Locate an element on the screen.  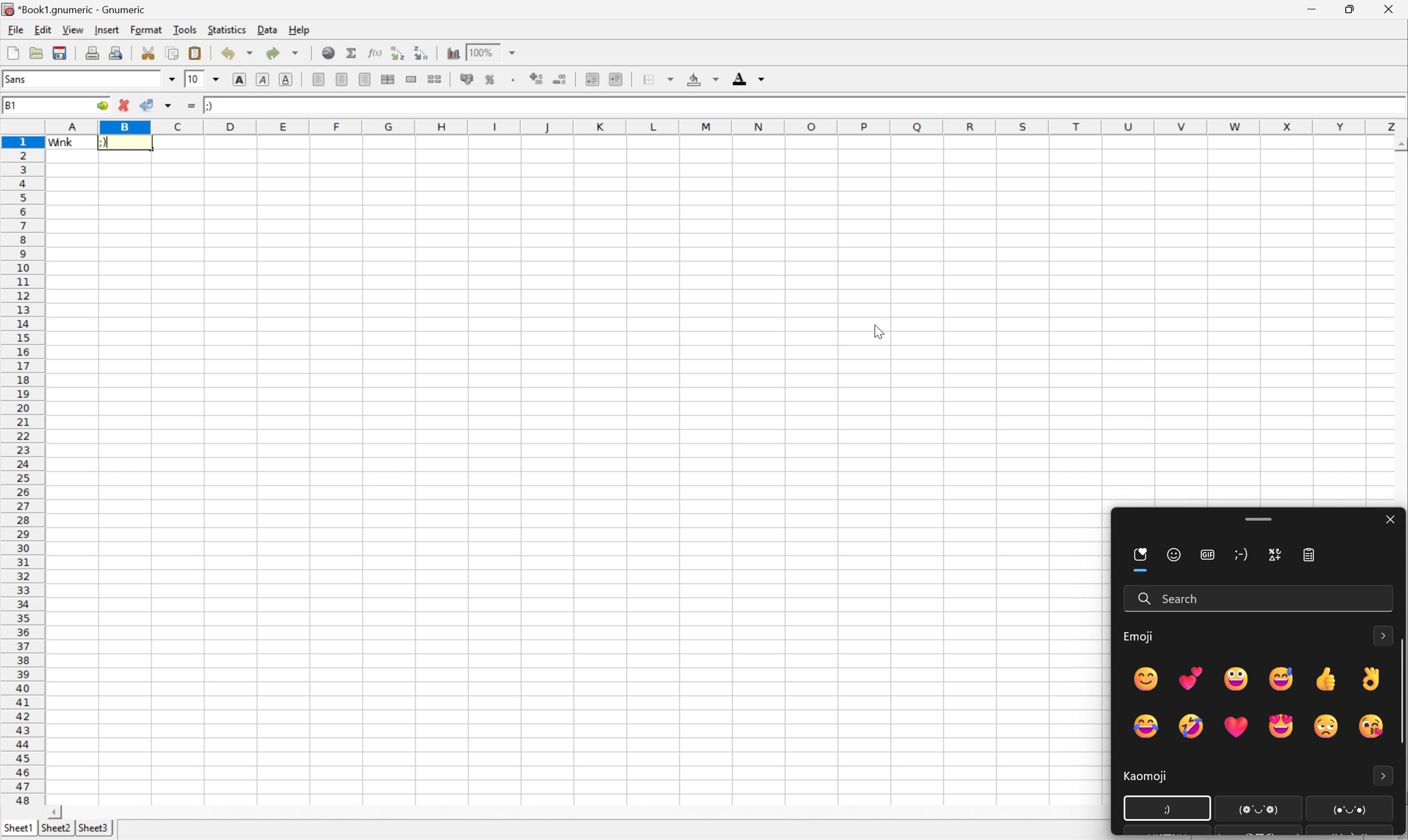
sheet2 is located at coordinates (53, 829).